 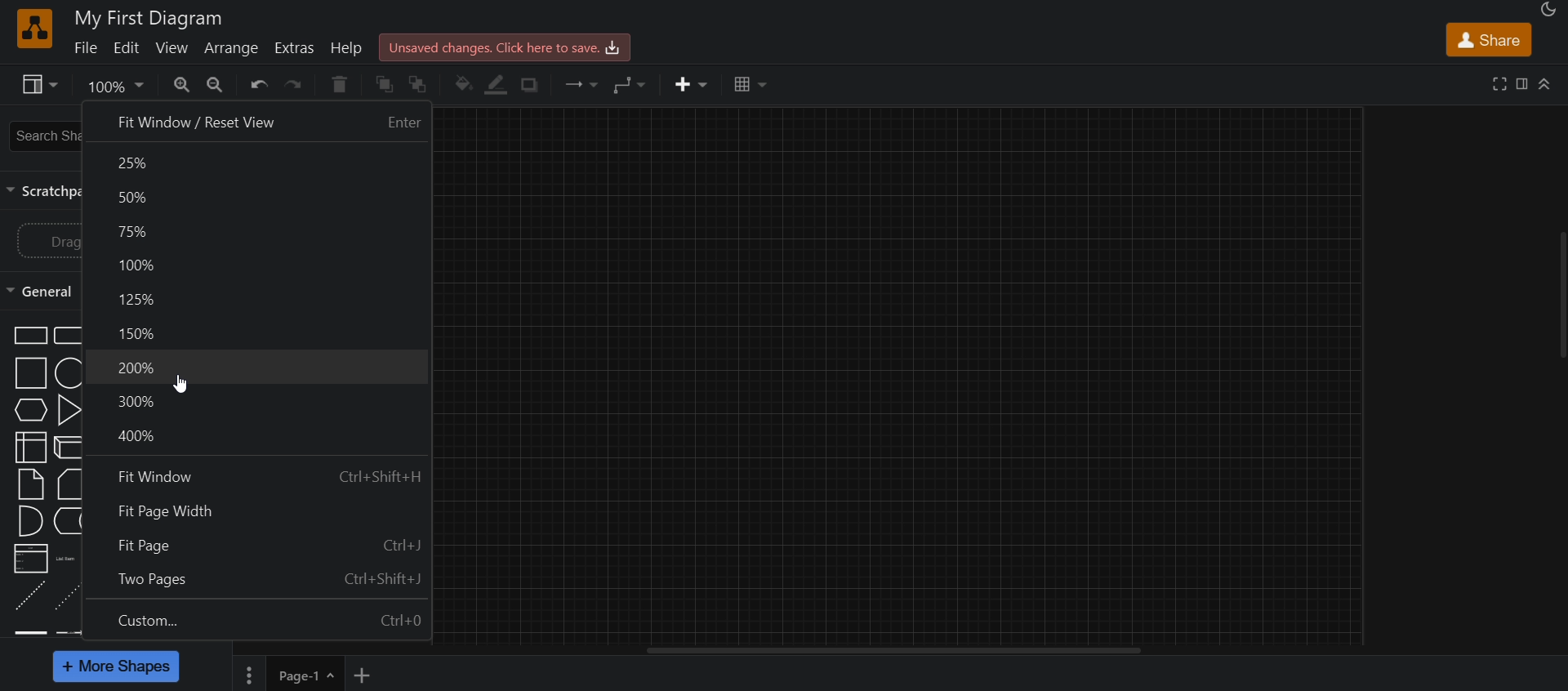 I want to click on line color, so click(x=501, y=83).